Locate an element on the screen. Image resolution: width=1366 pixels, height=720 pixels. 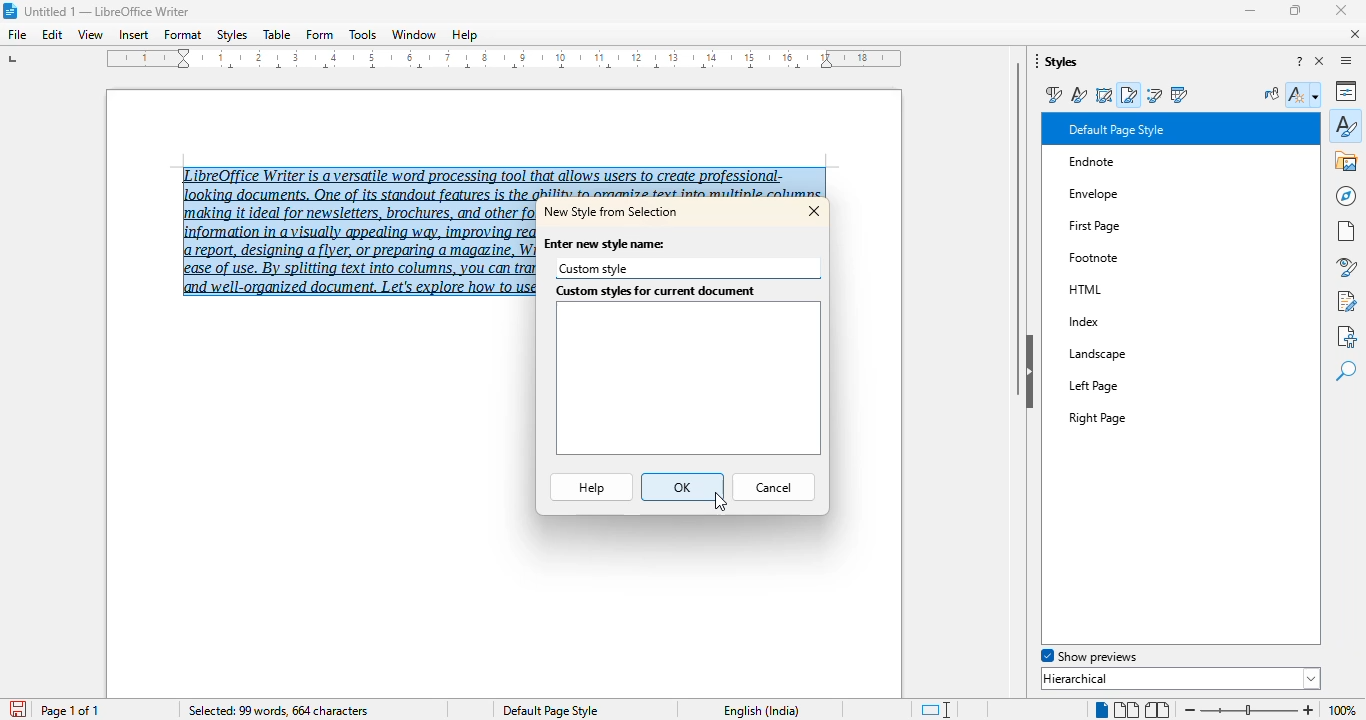
new style from selection is located at coordinates (613, 211).